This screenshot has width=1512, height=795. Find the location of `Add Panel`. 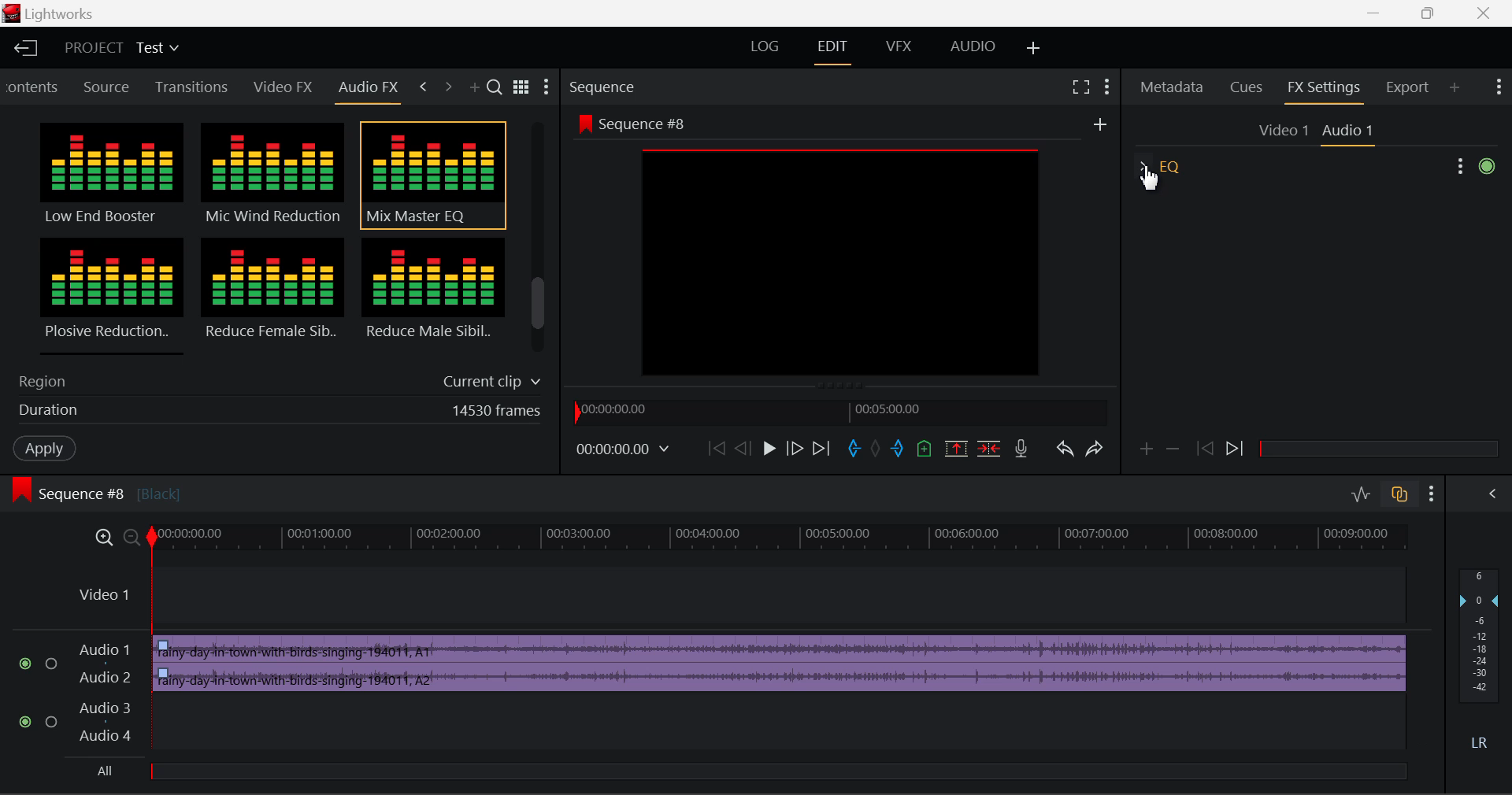

Add Panel is located at coordinates (476, 89).